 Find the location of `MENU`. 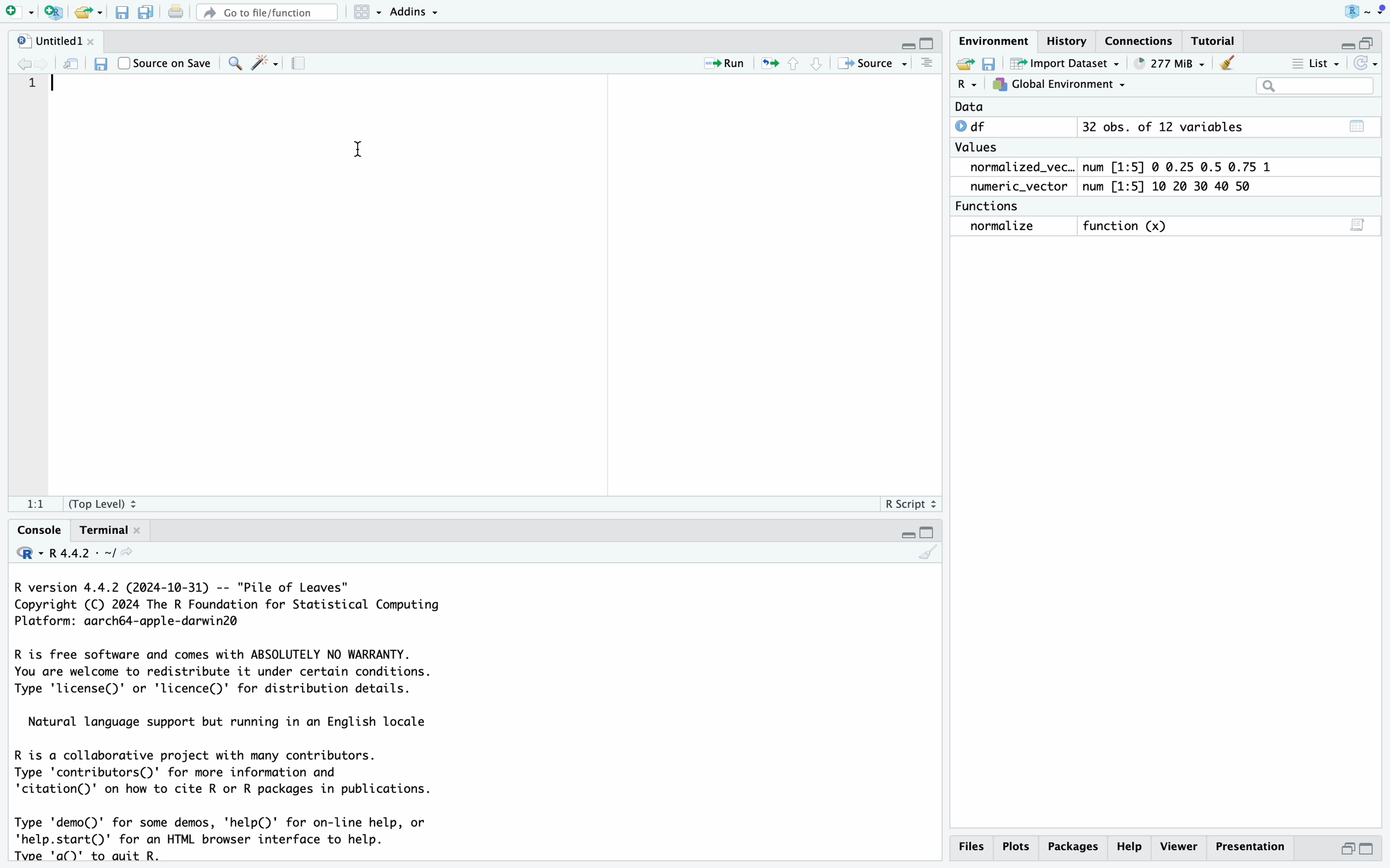

MENU is located at coordinates (925, 67).